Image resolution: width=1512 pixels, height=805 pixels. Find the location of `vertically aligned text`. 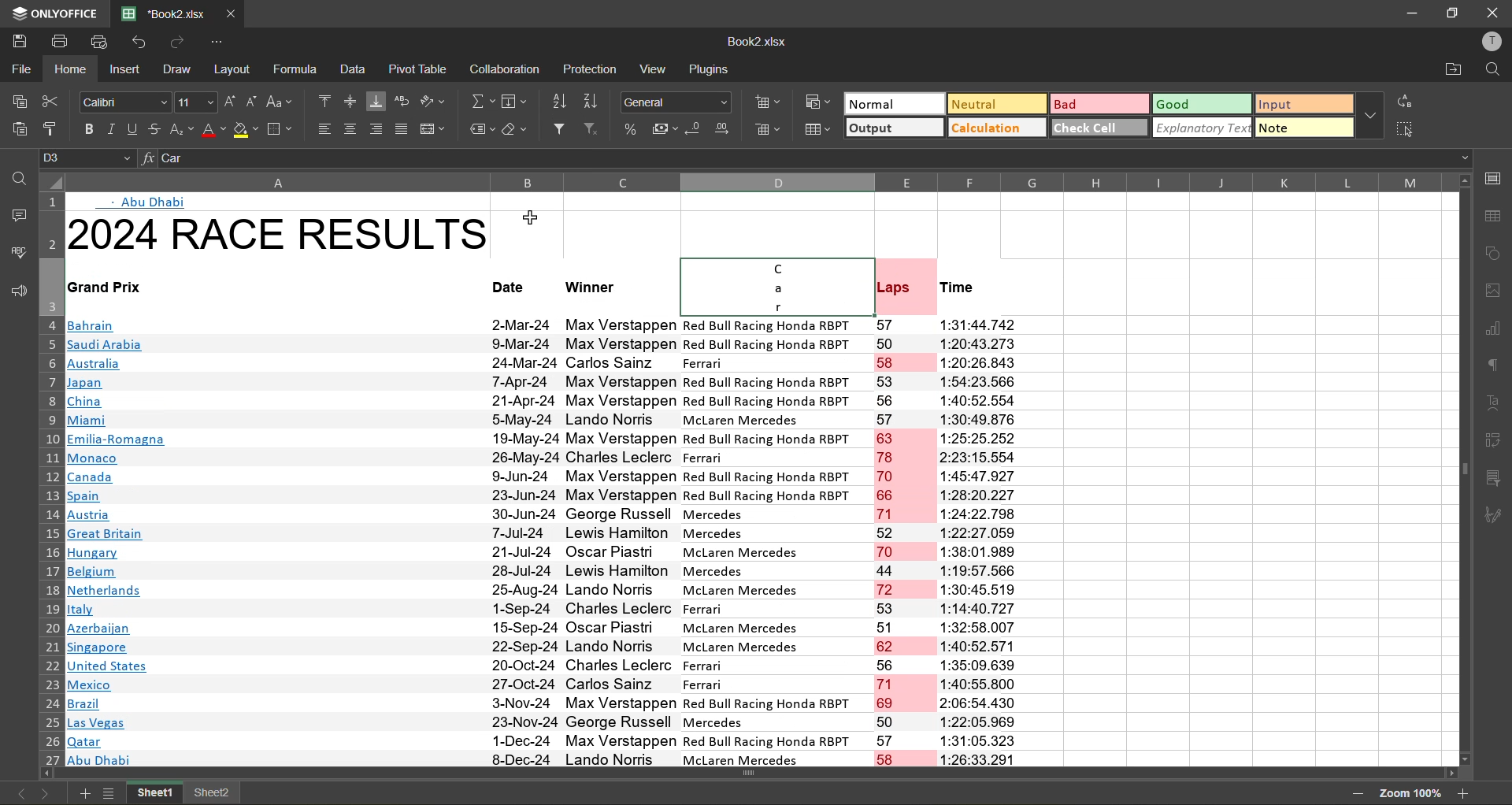

vertically aligned text is located at coordinates (799, 282).